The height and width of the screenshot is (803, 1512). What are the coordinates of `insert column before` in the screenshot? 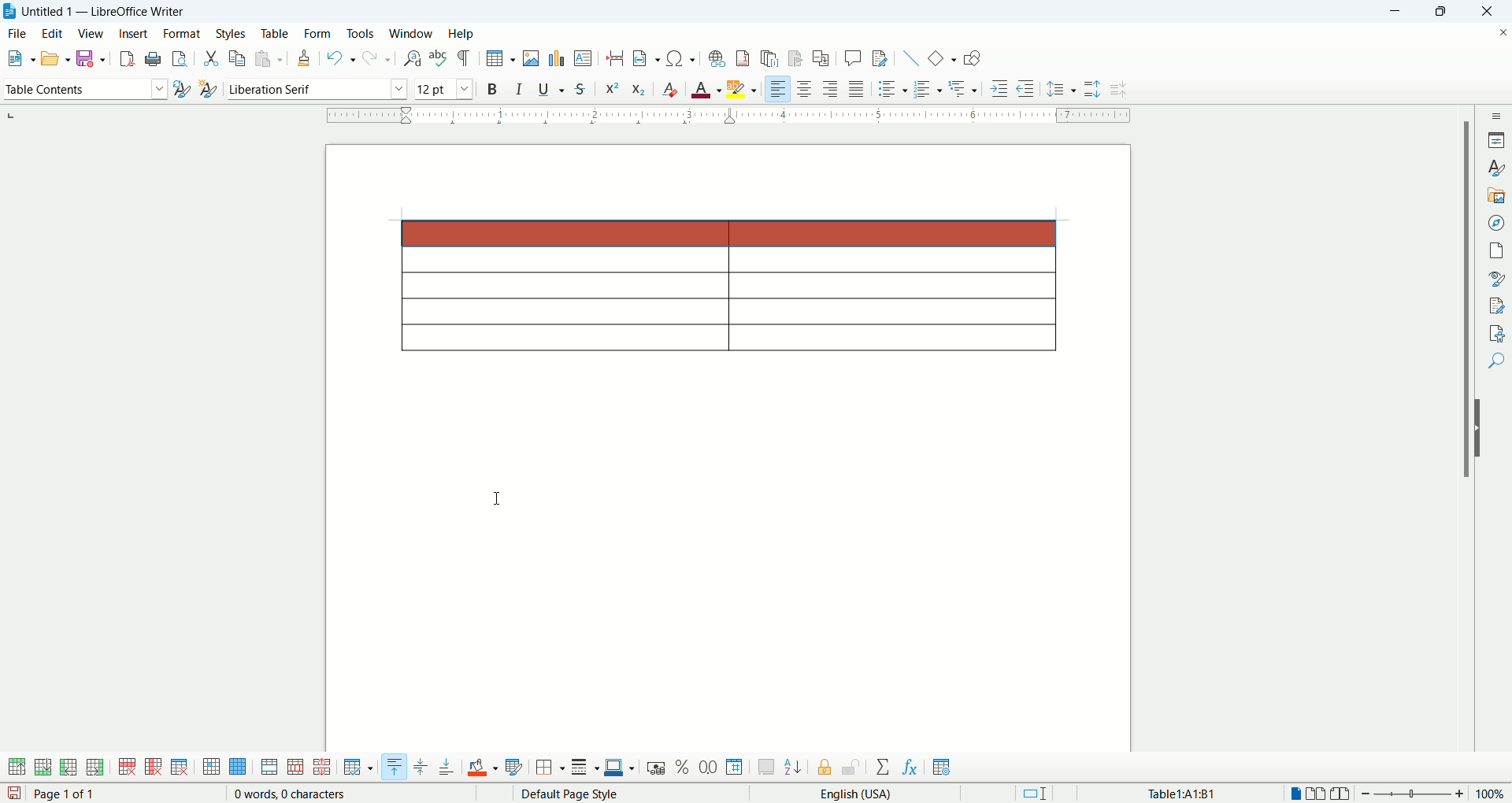 It's located at (70, 766).